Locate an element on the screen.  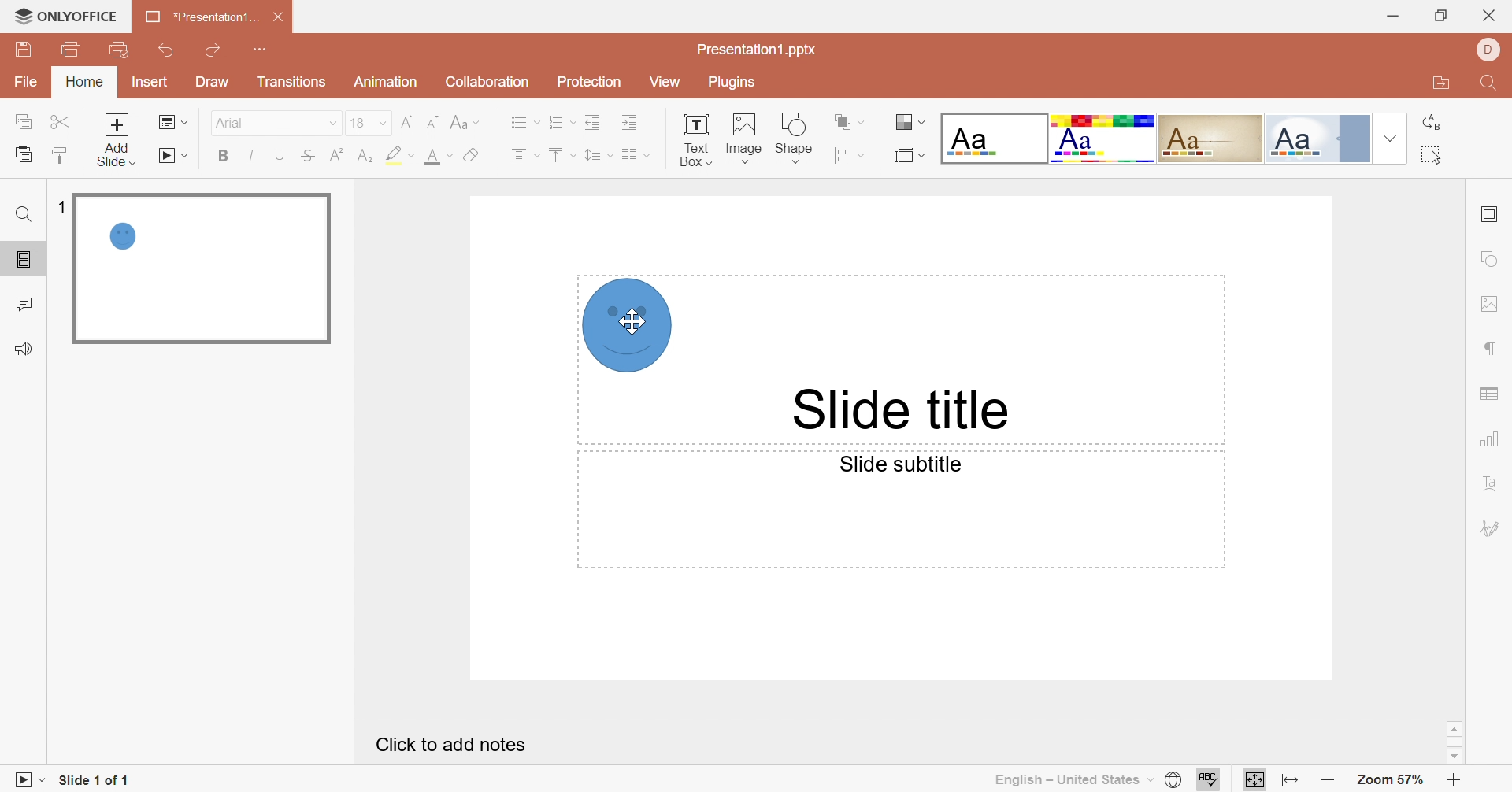
Text Box is located at coordinates (696, 138).